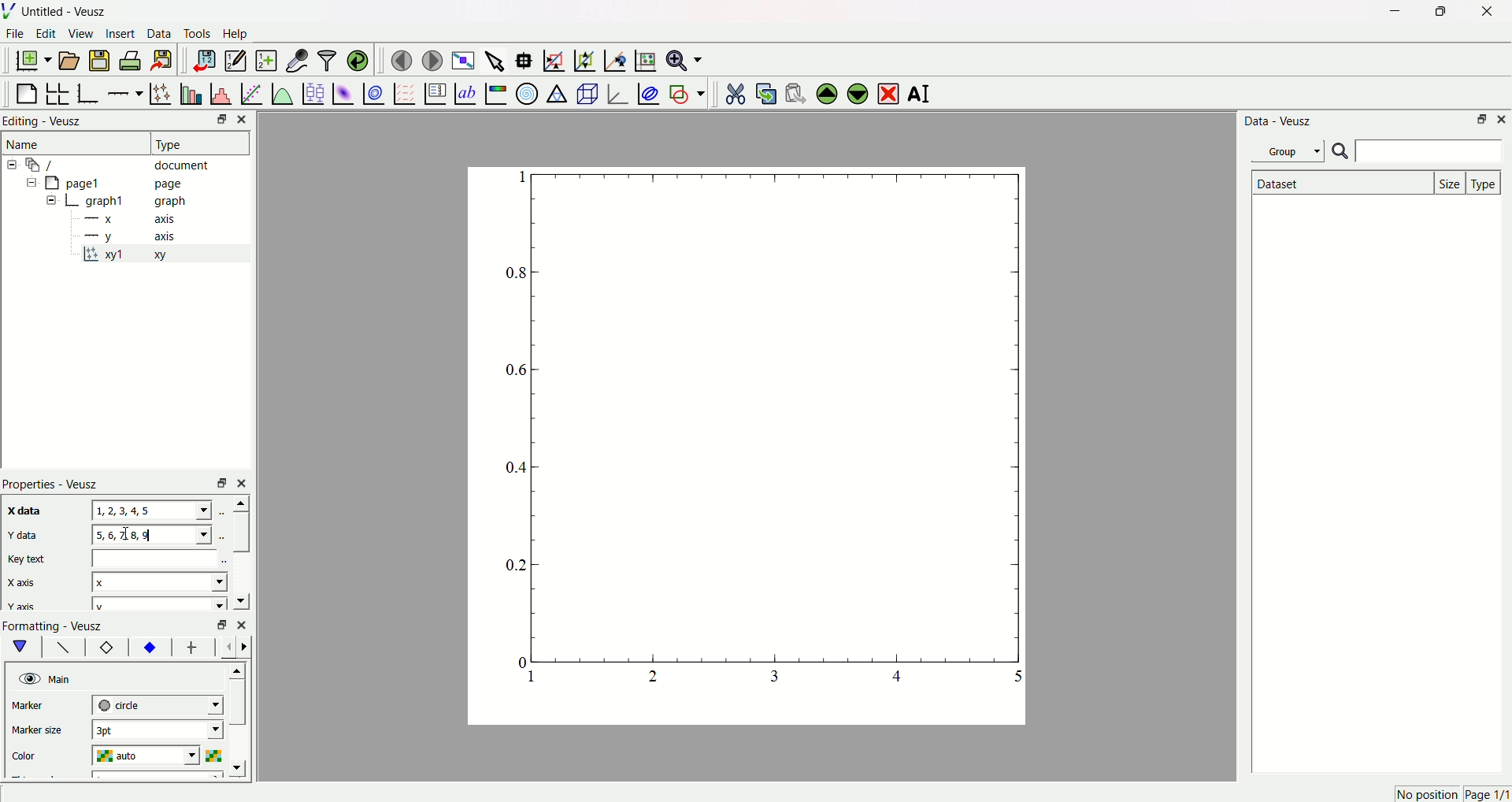  I want to click on reset the graph axes, so click(643, 58).